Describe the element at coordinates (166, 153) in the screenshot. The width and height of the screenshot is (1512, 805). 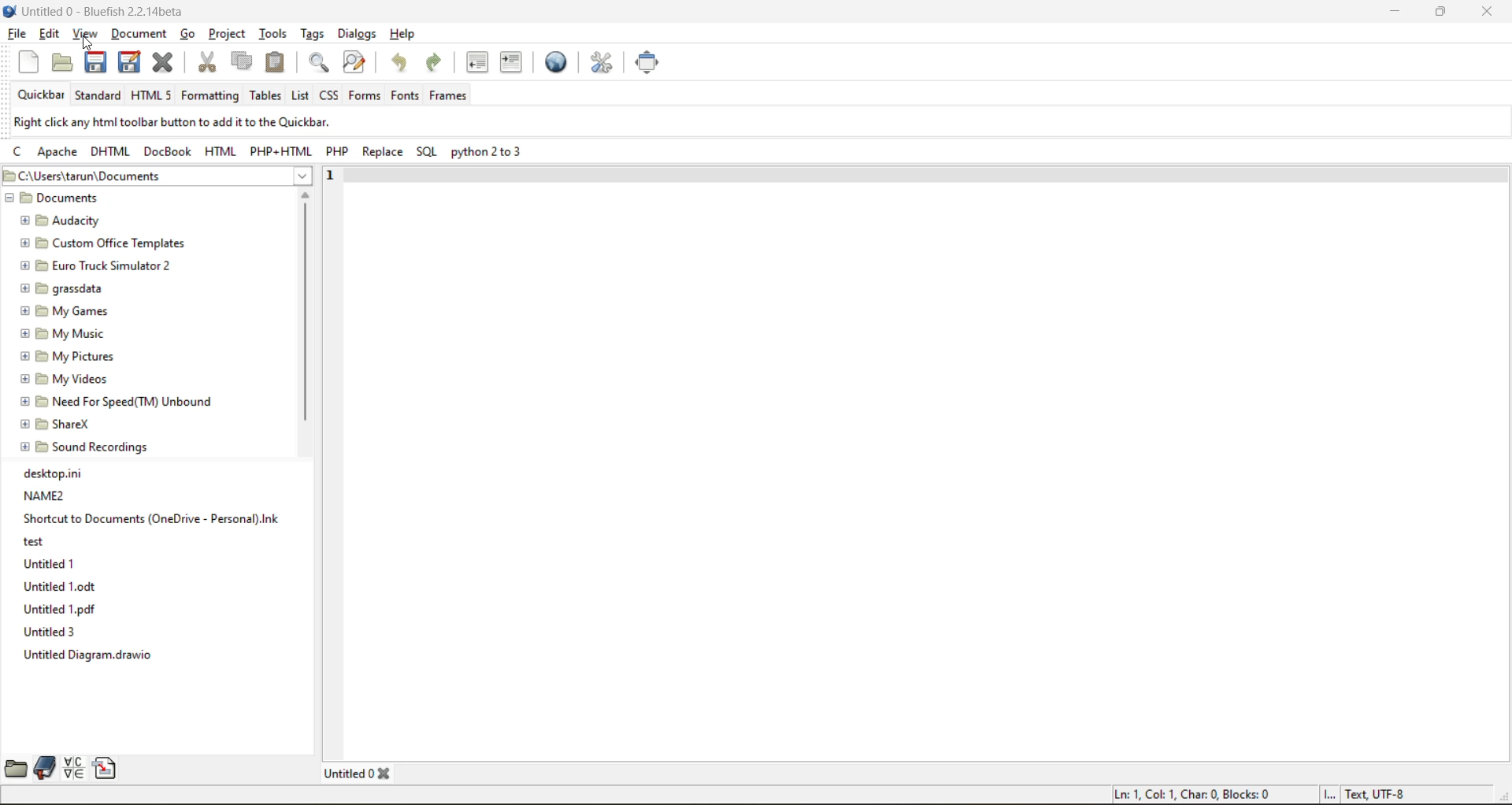
I see `docbook` at that location.